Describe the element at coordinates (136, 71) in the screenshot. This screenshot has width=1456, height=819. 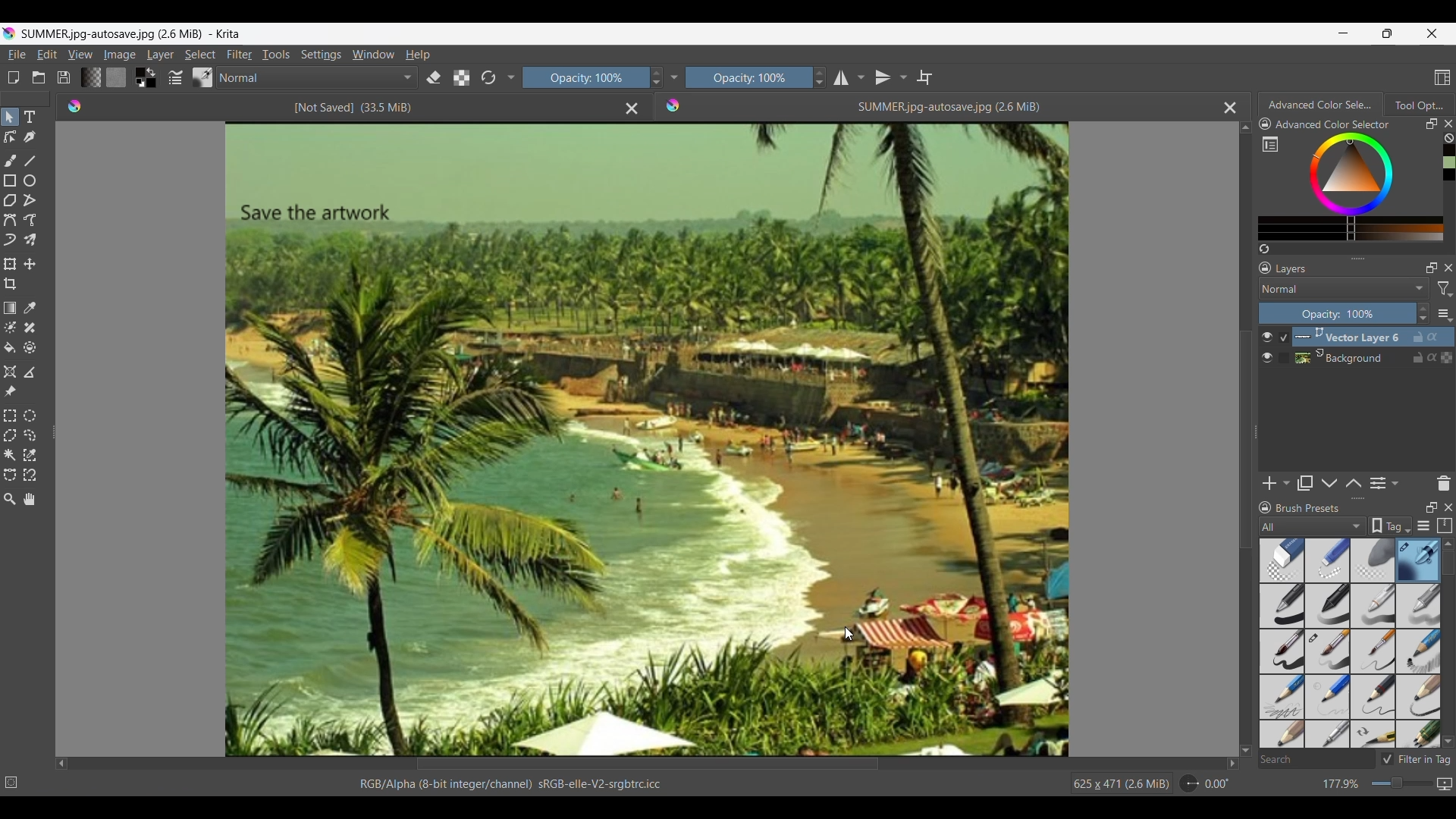
I see `Foreground color` at that location.